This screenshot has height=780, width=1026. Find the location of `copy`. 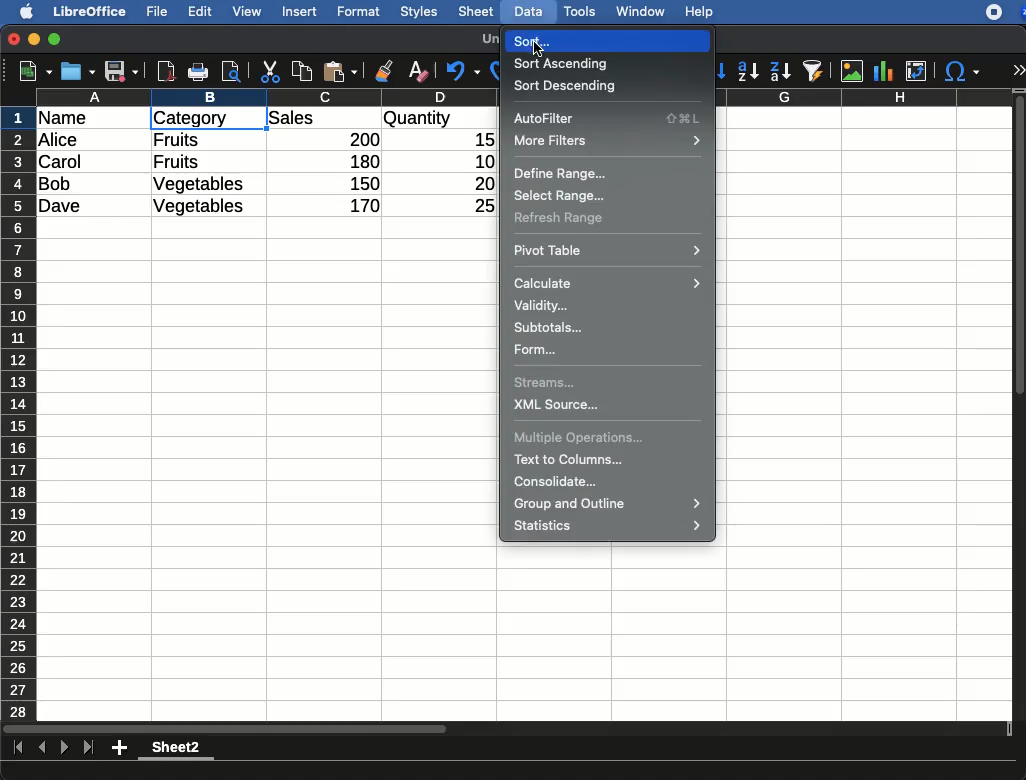

copy is located at coordinates (304, 71).